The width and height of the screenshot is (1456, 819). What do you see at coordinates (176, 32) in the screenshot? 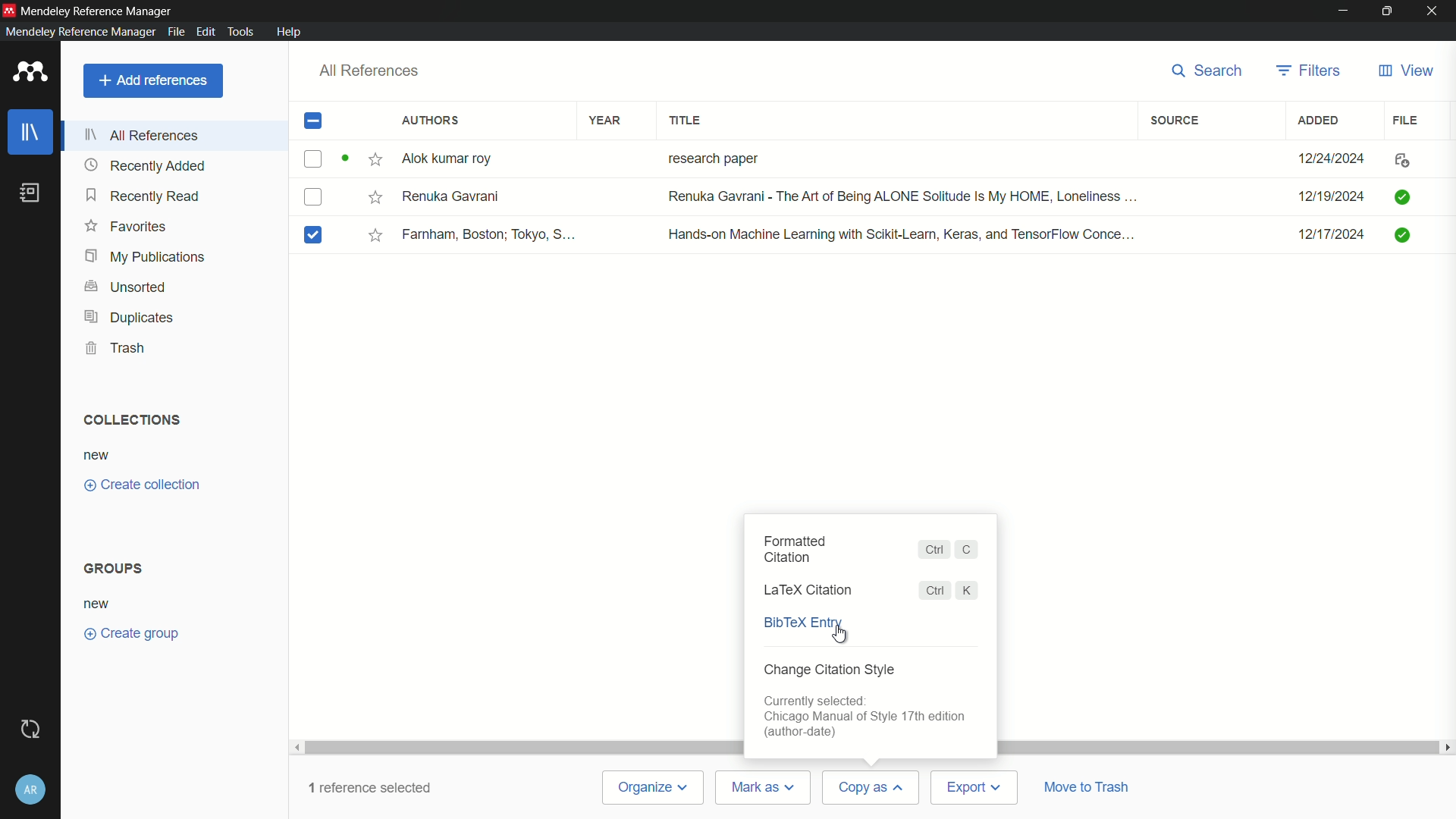
I see `file menu` at bounding box center [176, 32].